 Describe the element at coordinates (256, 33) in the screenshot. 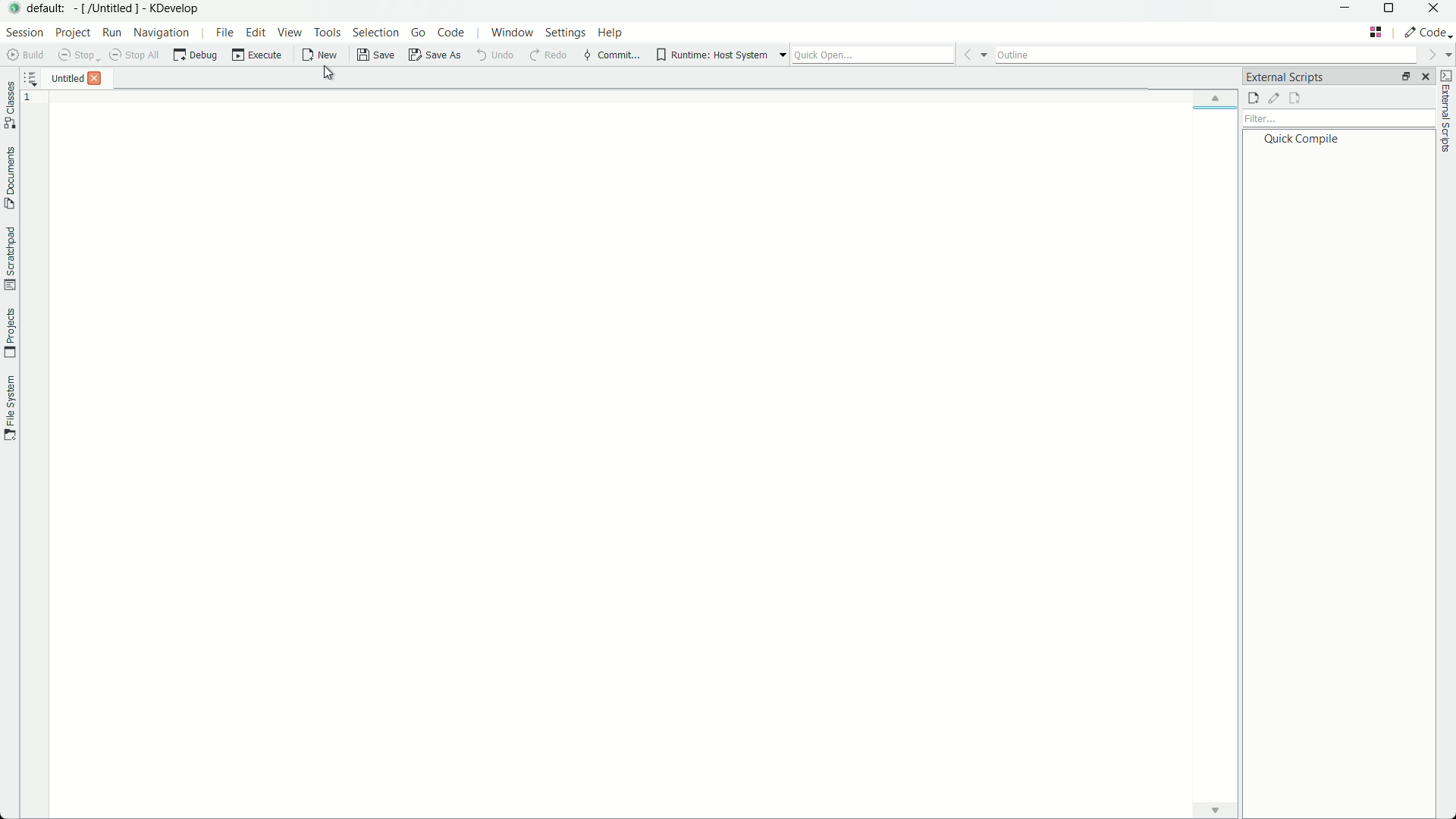

I see `edit` at that location.